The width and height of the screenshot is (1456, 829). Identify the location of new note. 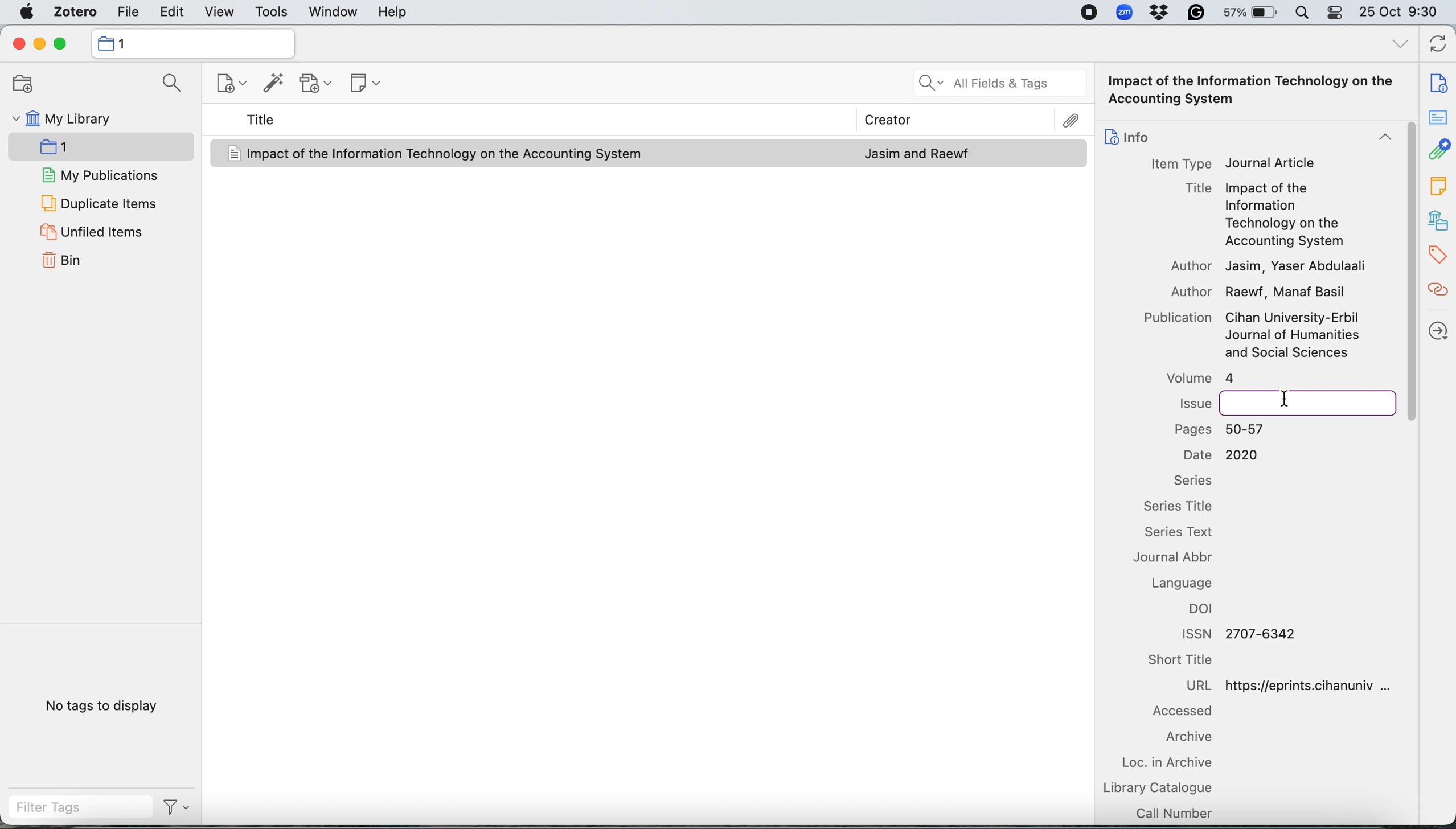
(363, 85).